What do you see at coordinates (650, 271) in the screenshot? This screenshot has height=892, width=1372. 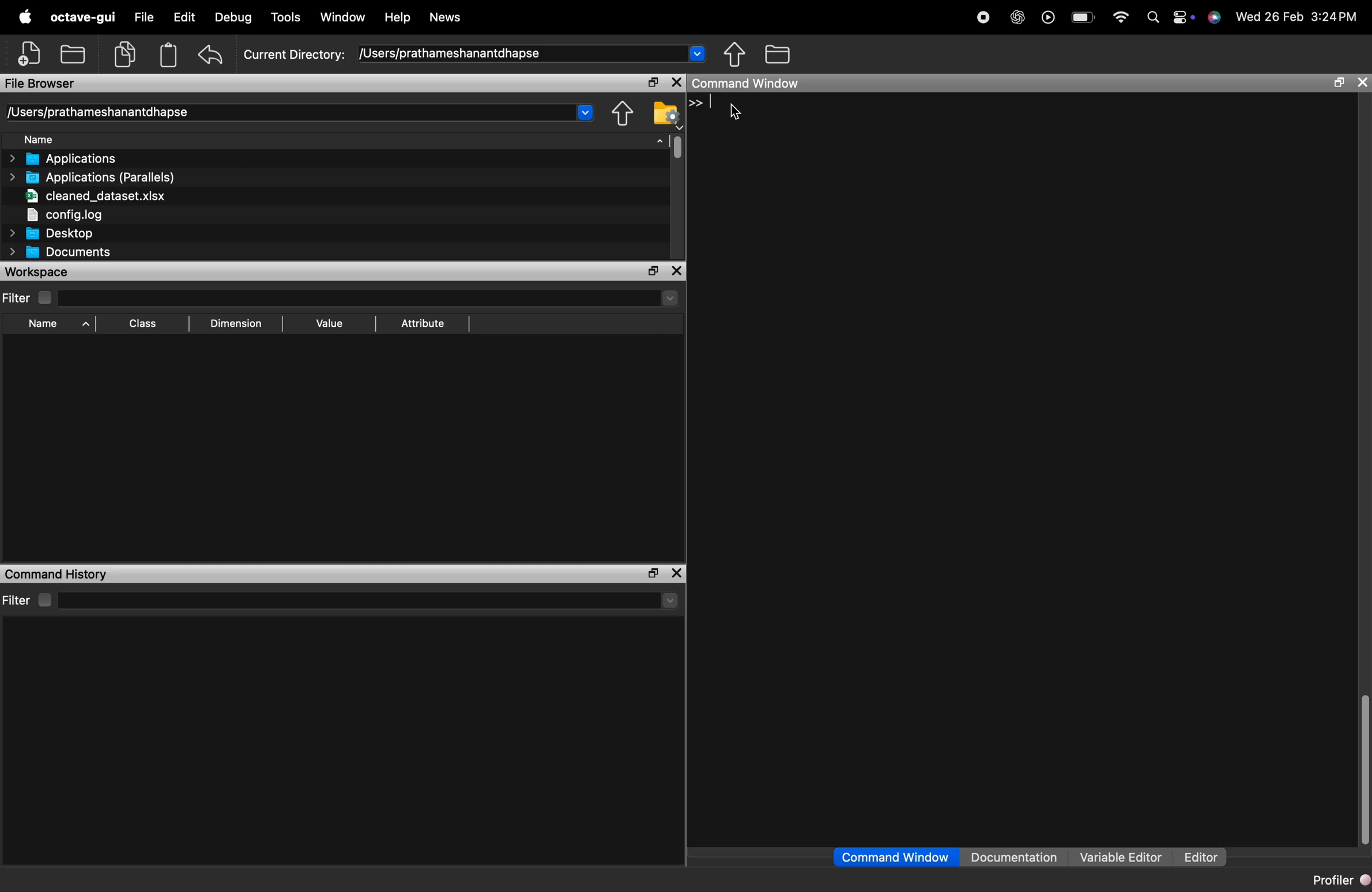 I see `Maximize` at bounding box center [650, 271].